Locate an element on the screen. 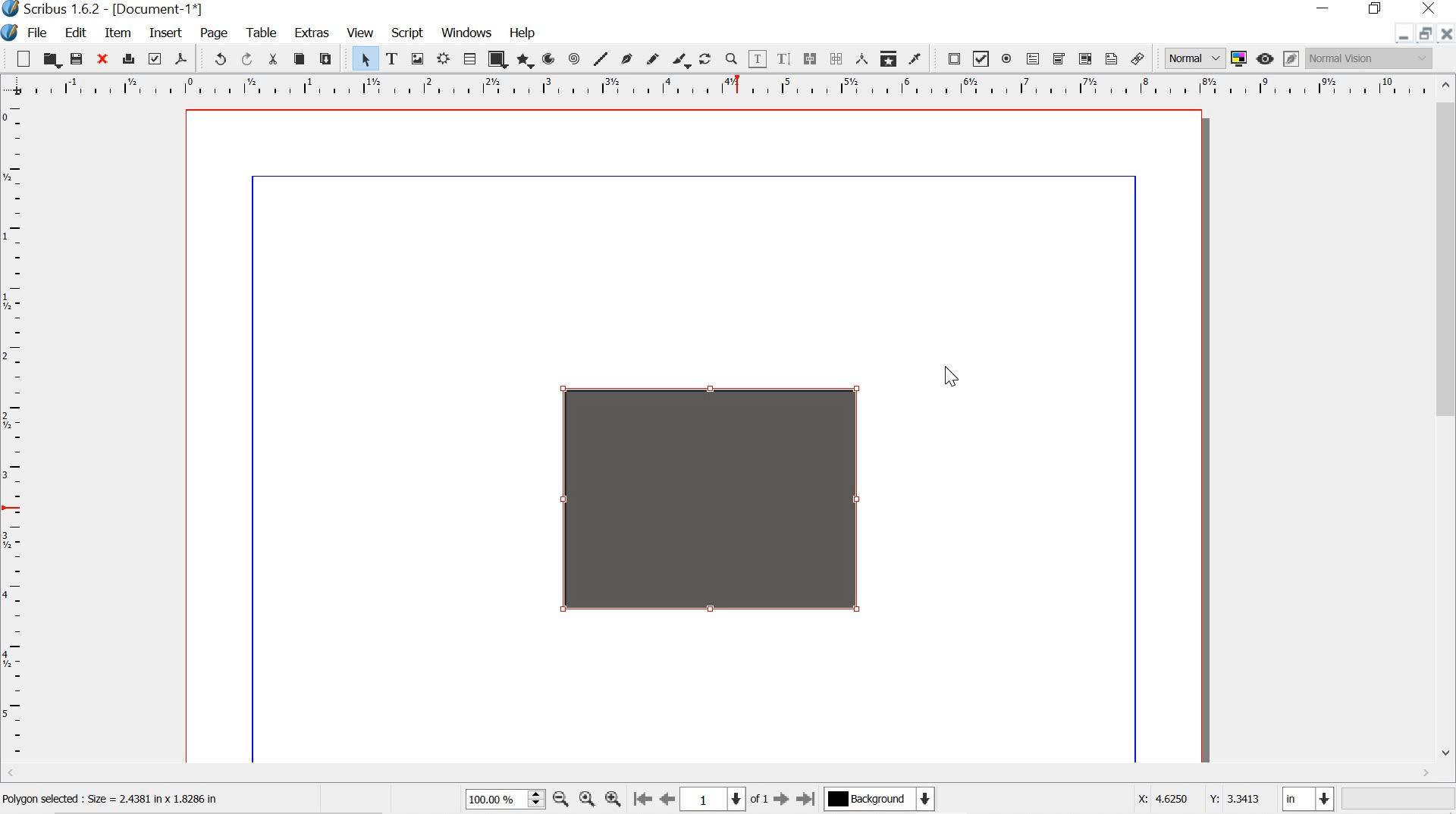 This screenshot has width=1456, height=814. rotate item is located at coordinates (704, 60).